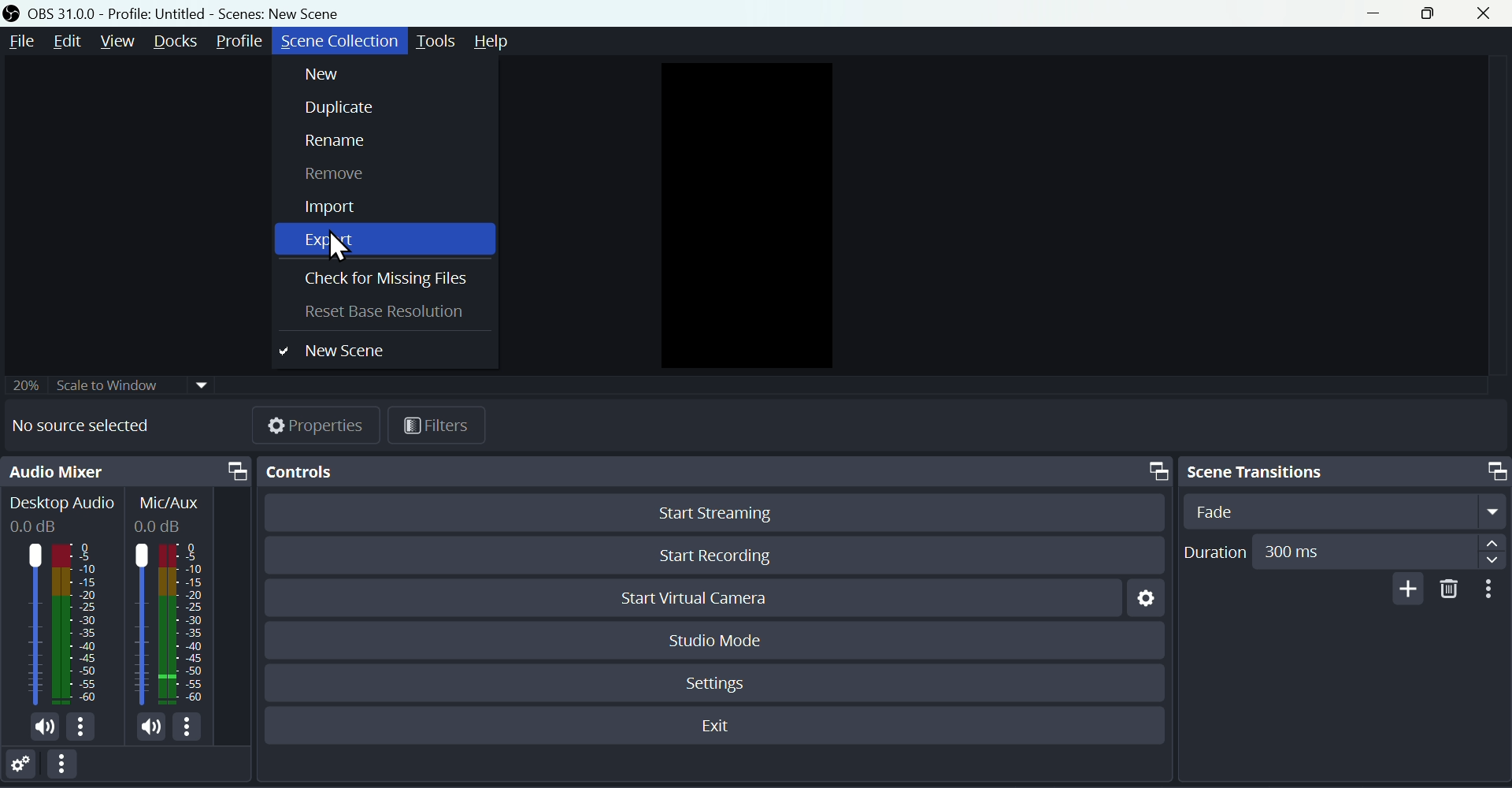 This screenshot has width=1512, height=788. What do you see at coordinates (1435, 14) in the screenshot?
I see `maximise` at bounding box center [1435, 14].